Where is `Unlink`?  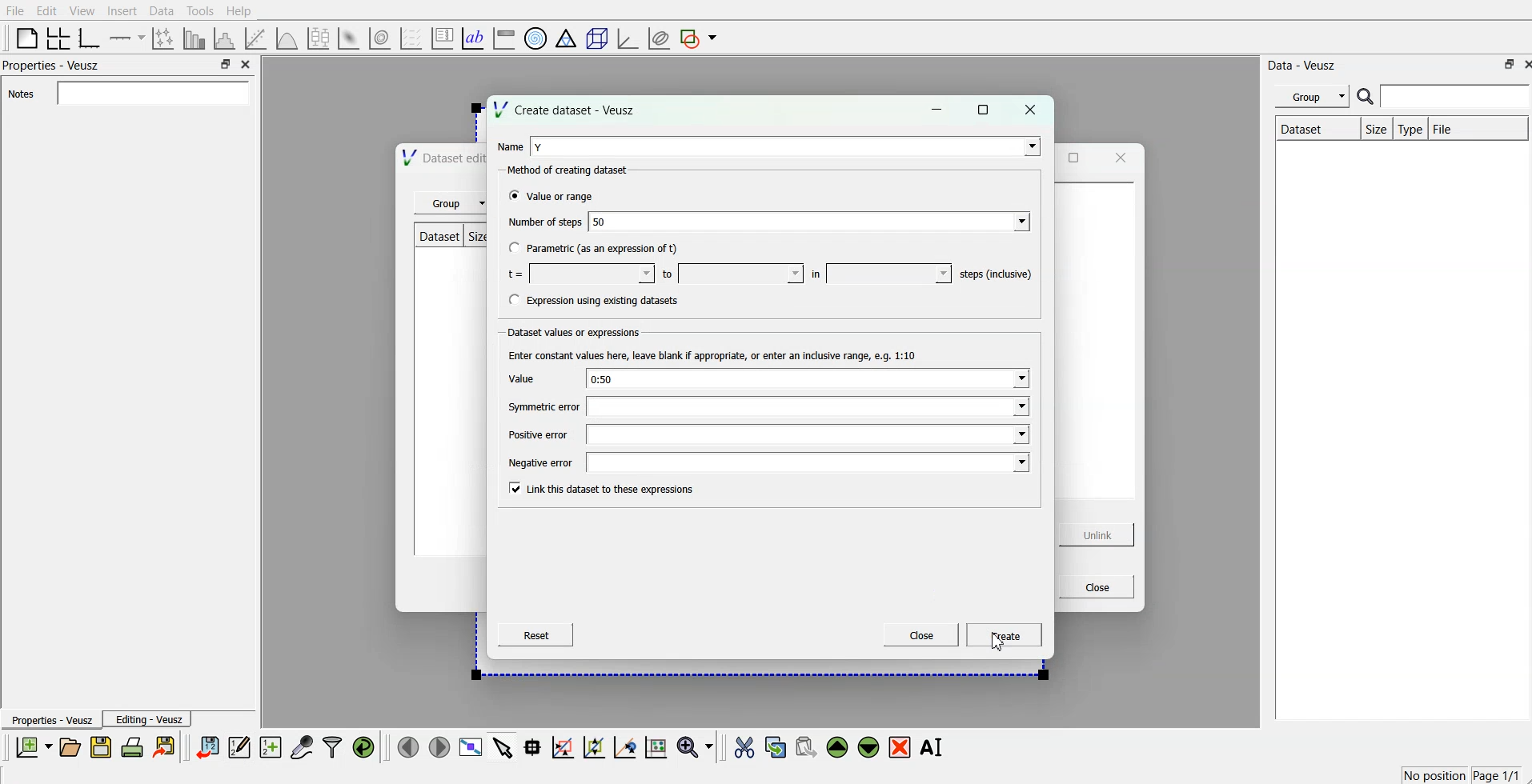 Unlink is located at coordinates (1097, 535).